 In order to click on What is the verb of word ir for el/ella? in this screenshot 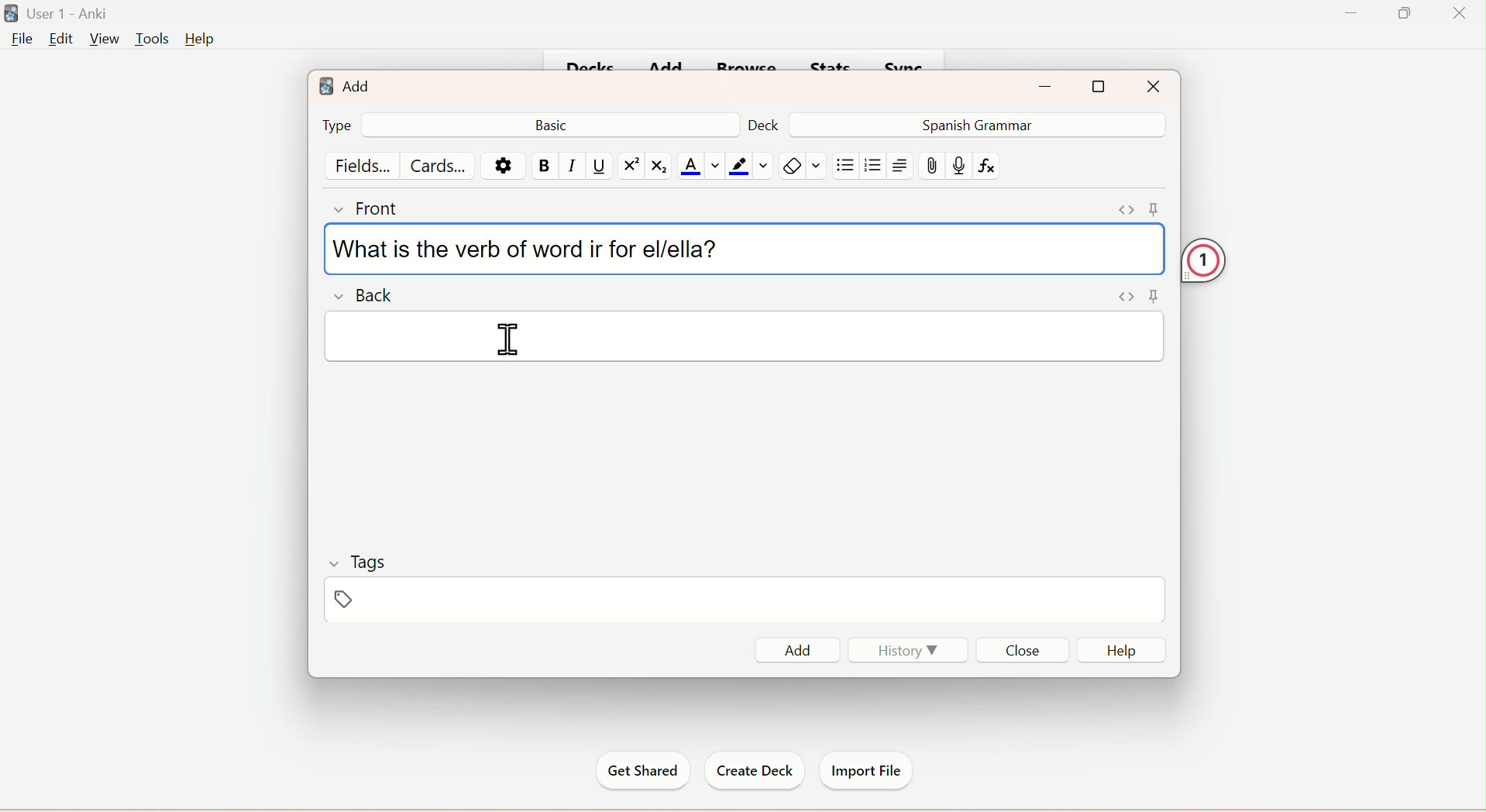, I will do `click(529, 246)`.